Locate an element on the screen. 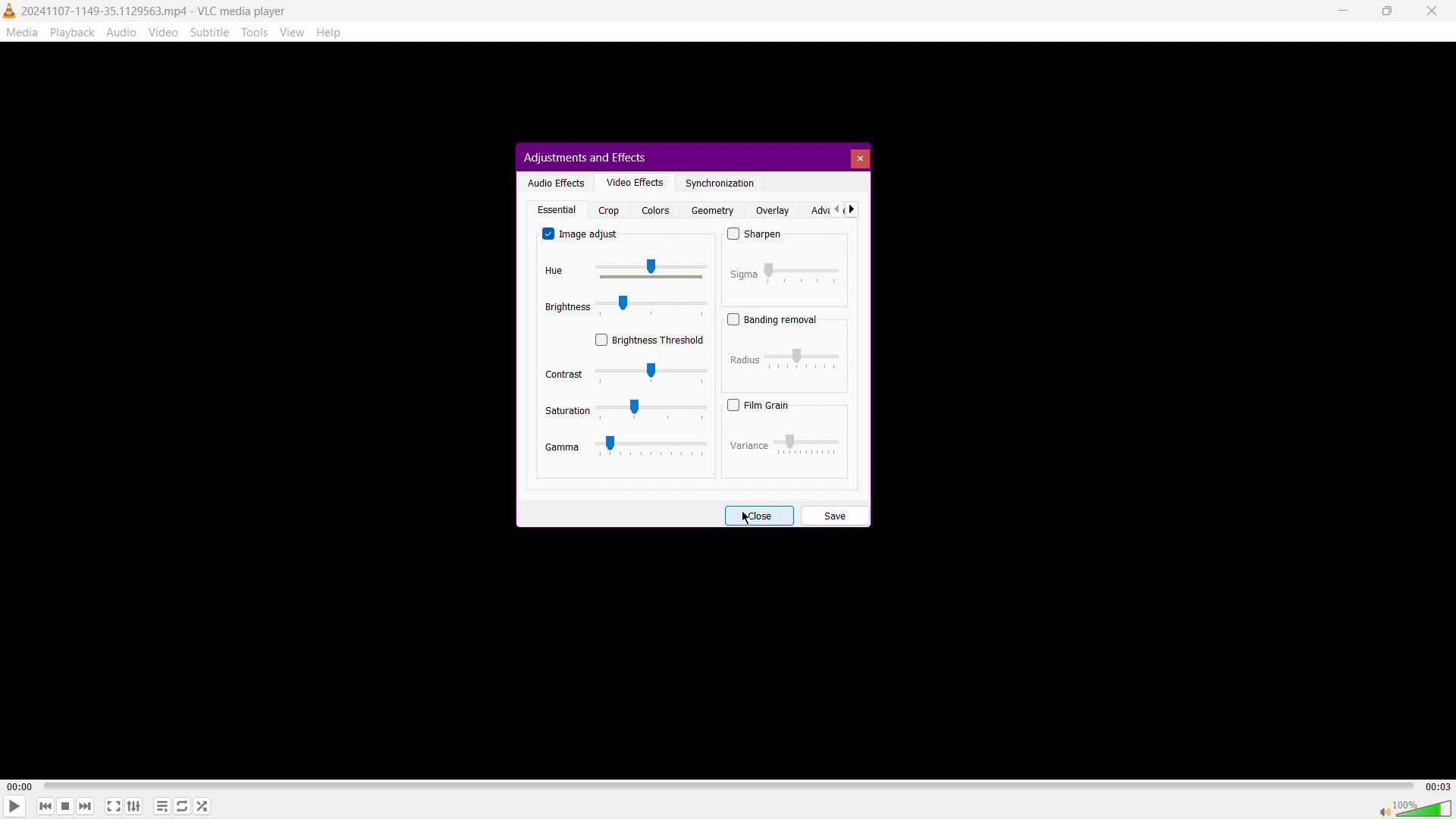 This screenshot has height=819, width=1456. Radius is located at coordinates (787, 358).